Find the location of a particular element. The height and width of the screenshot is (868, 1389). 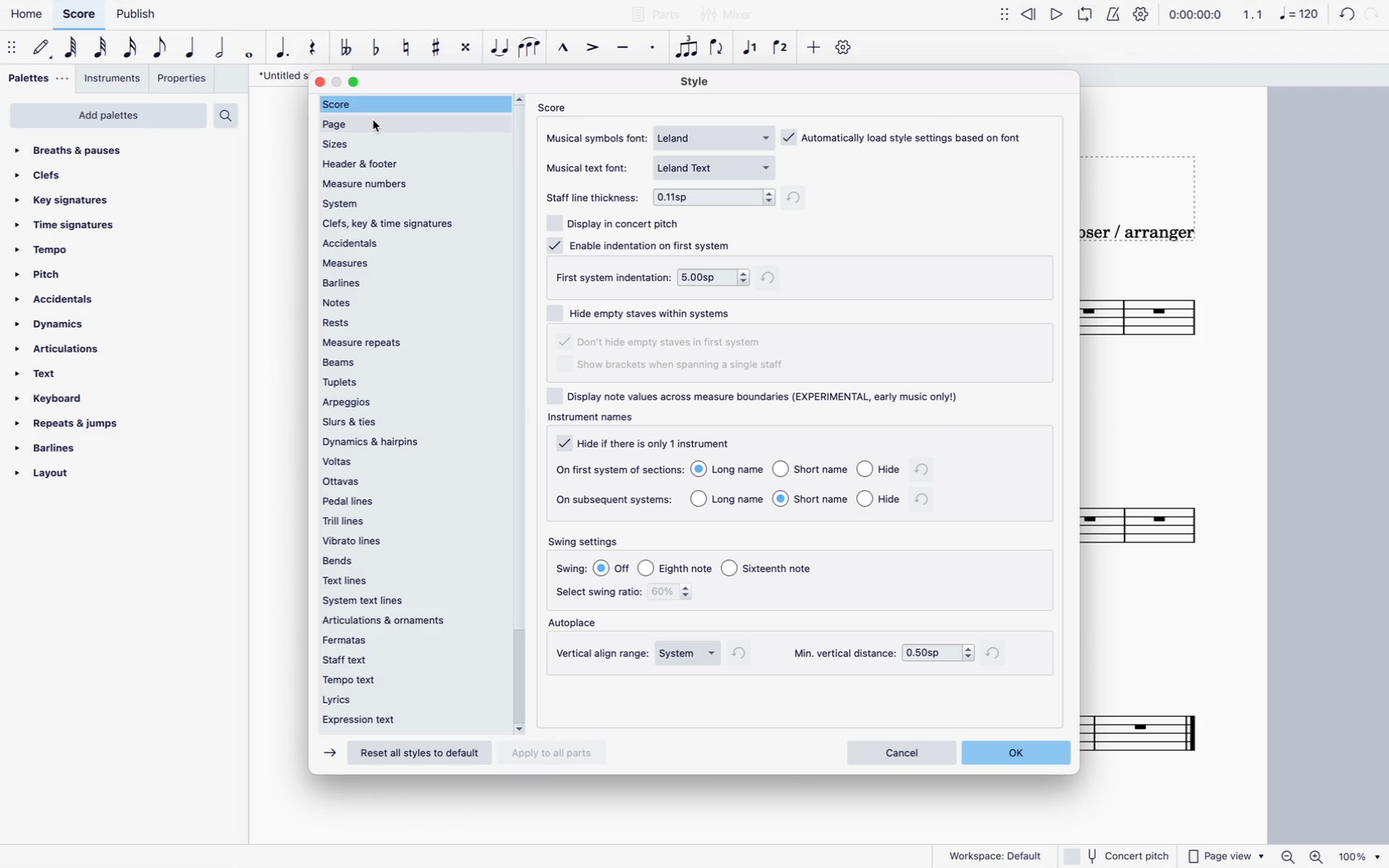

tuplets is located at coordinates (408, 384).